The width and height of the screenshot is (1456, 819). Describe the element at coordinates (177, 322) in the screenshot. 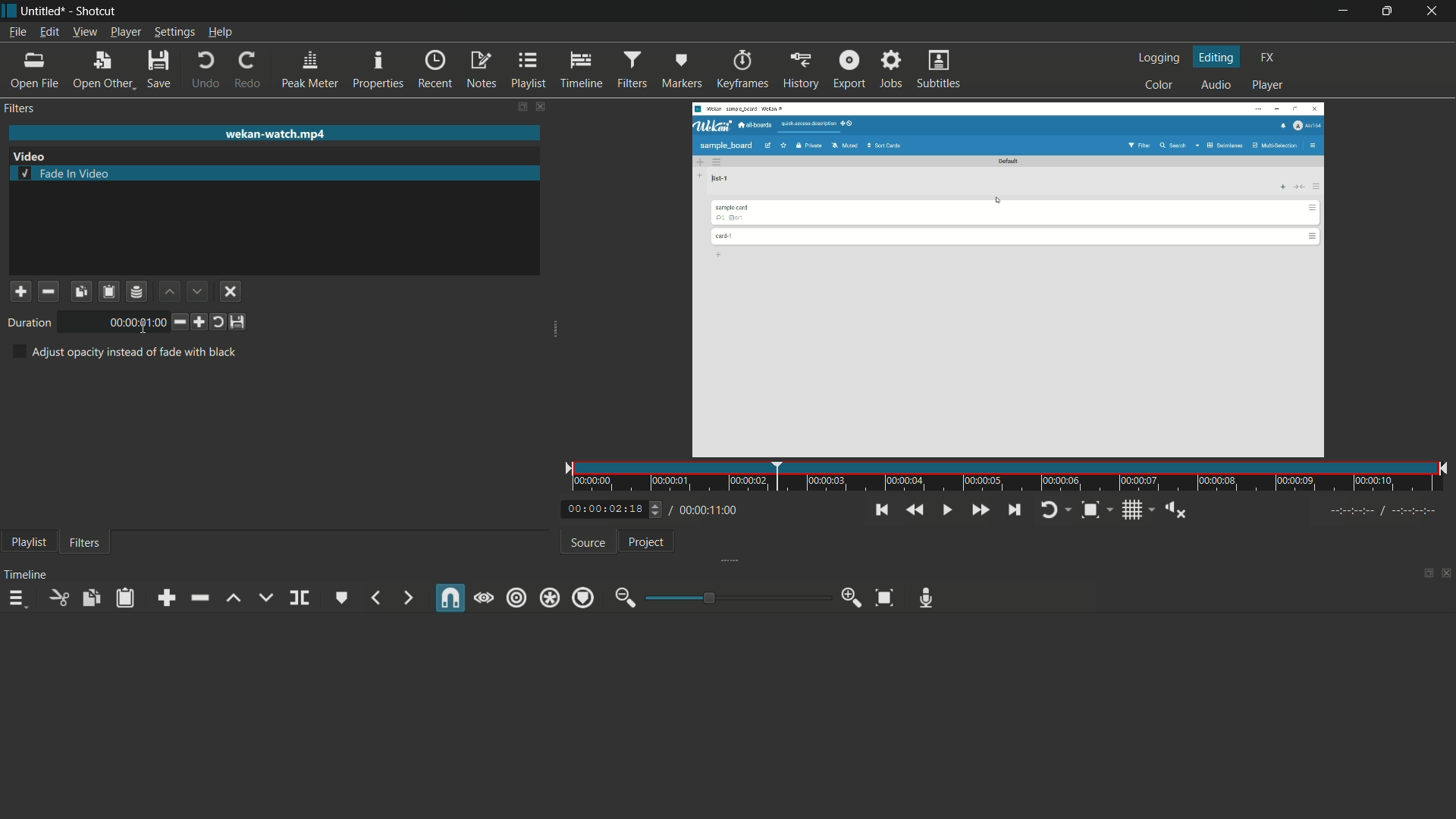

I see `decrement` at that location.